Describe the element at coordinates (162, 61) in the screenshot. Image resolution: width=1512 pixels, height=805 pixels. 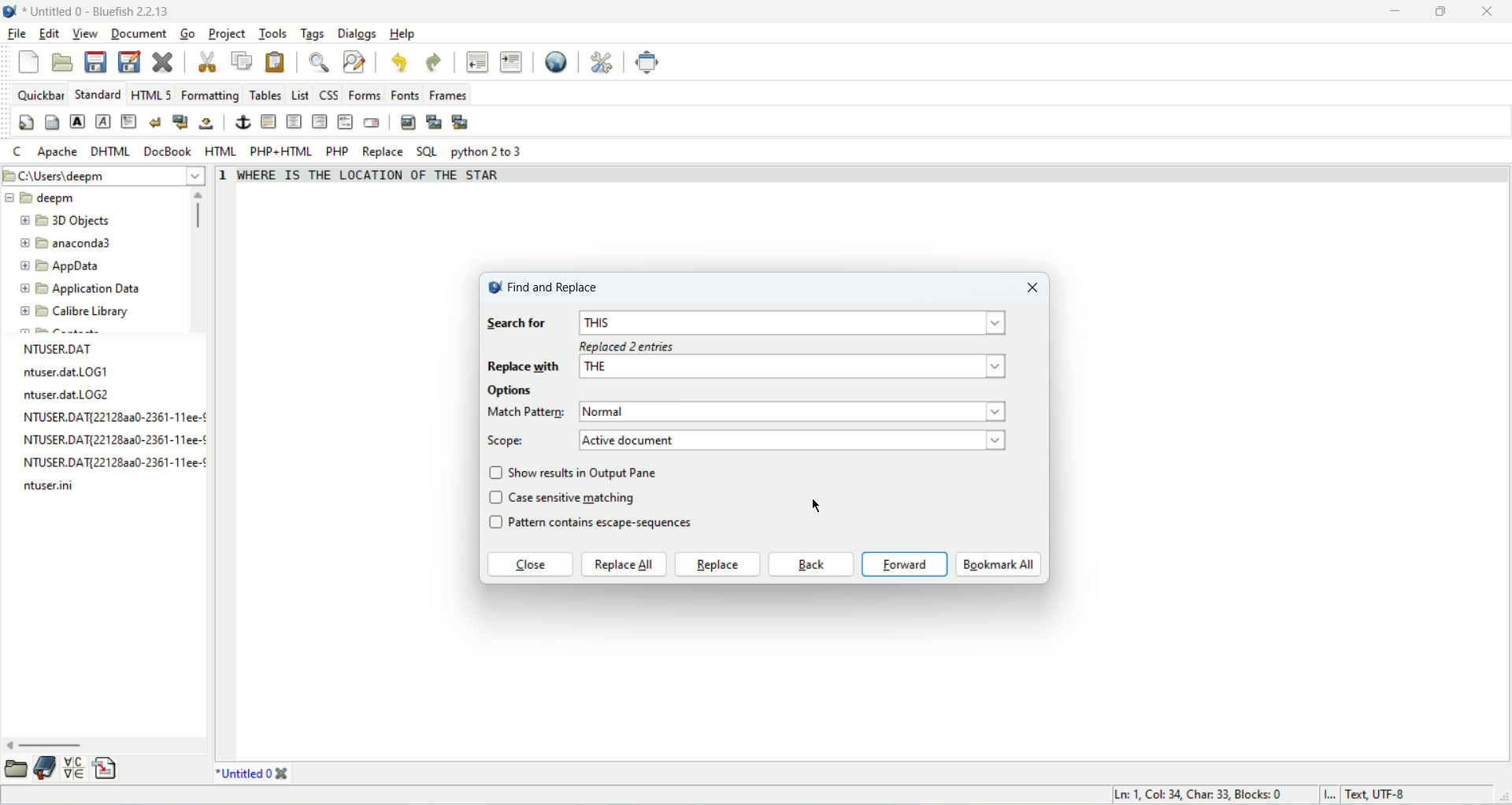
I see `close` at that location.